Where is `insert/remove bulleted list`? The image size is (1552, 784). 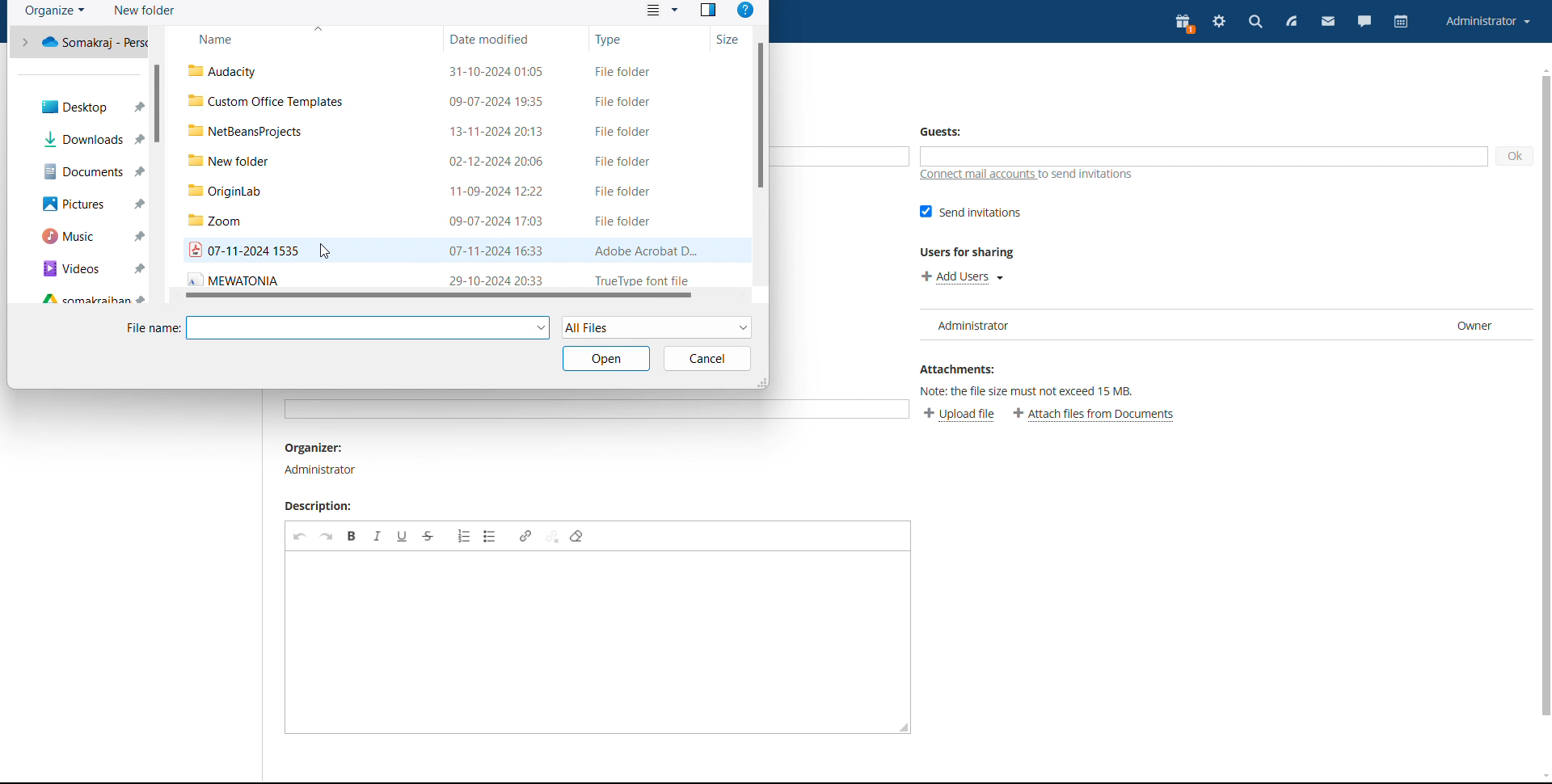
insert/remove bulleted list is located at coordinates (491, 536).